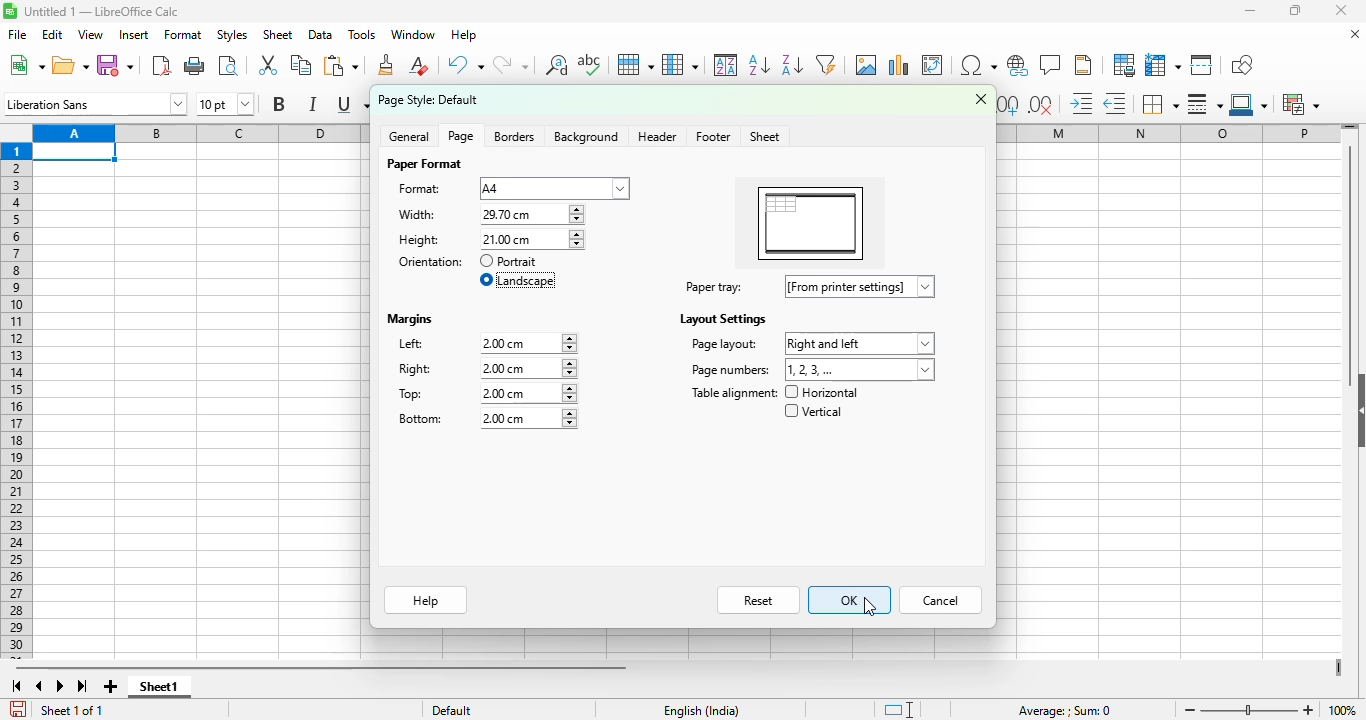 This screenshot has height=720, width=1366. I want to click on 2.00 cm, so click(527, 419).